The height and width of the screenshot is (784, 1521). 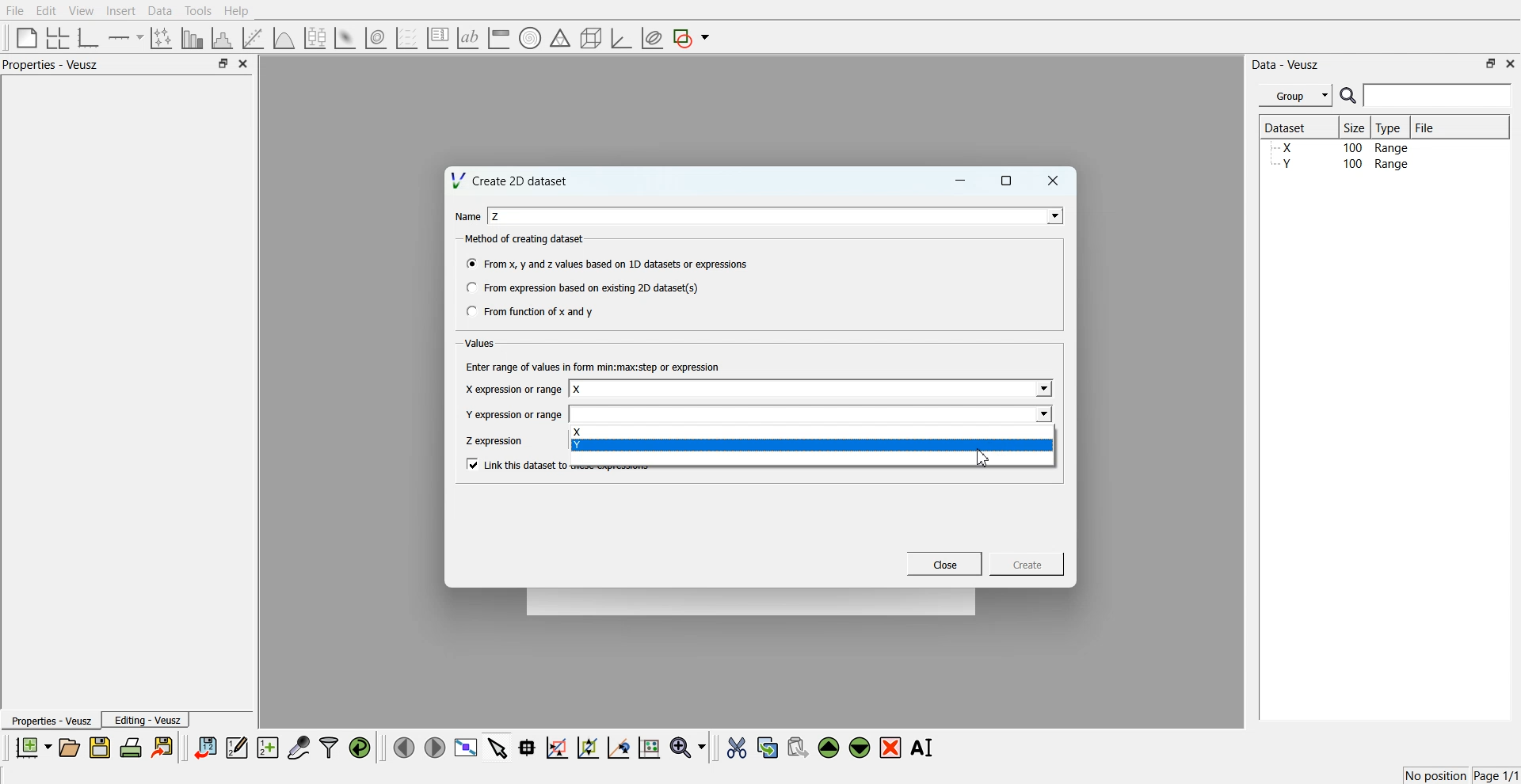 What do you see at coordinates (50, 720) in the screenshot?
I see `Properties - Veusz` at bounding box center [50, 720].